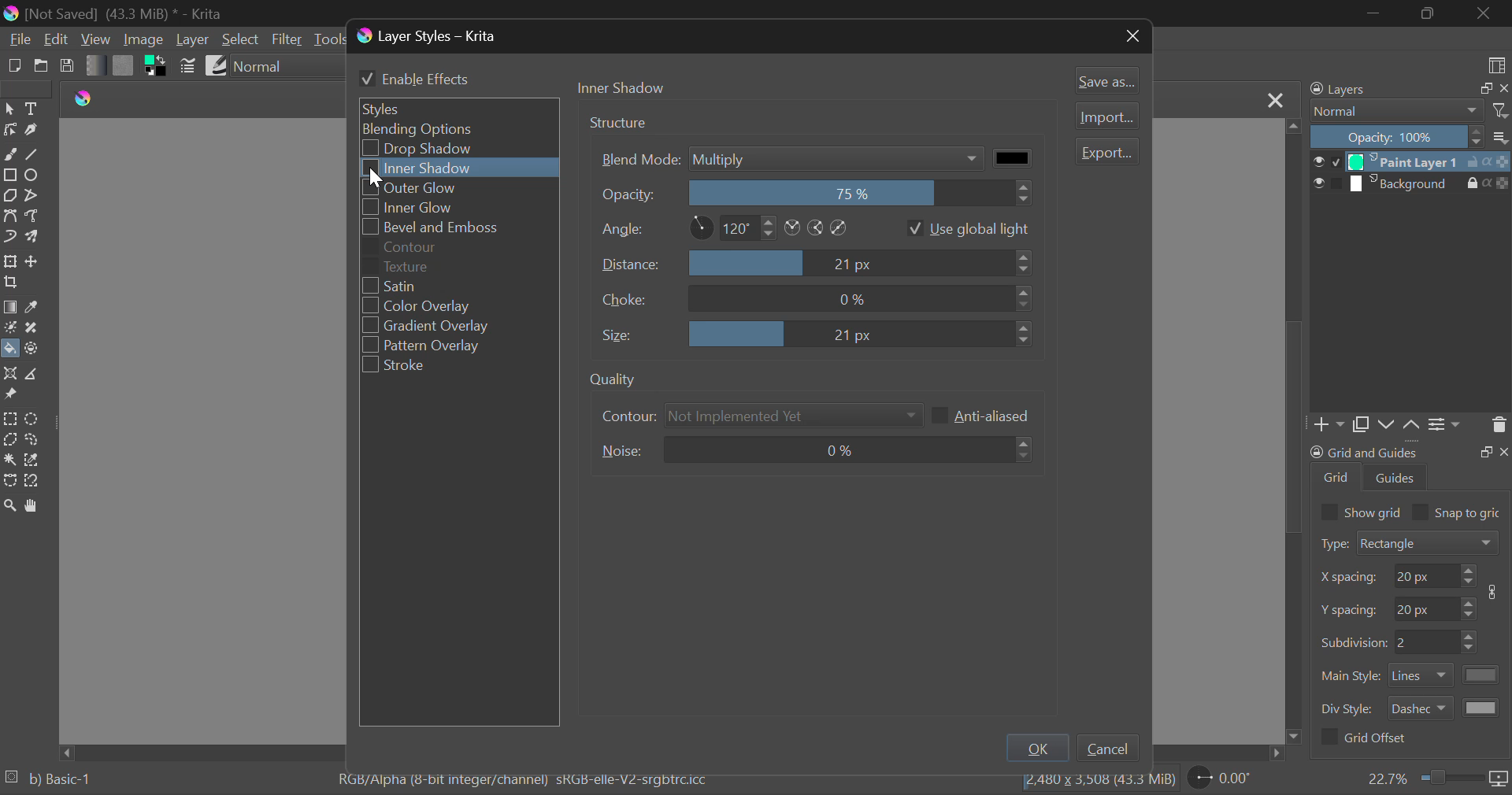 This screenshot has width=1512, height=795. I want to click on New, so click(14, 66).